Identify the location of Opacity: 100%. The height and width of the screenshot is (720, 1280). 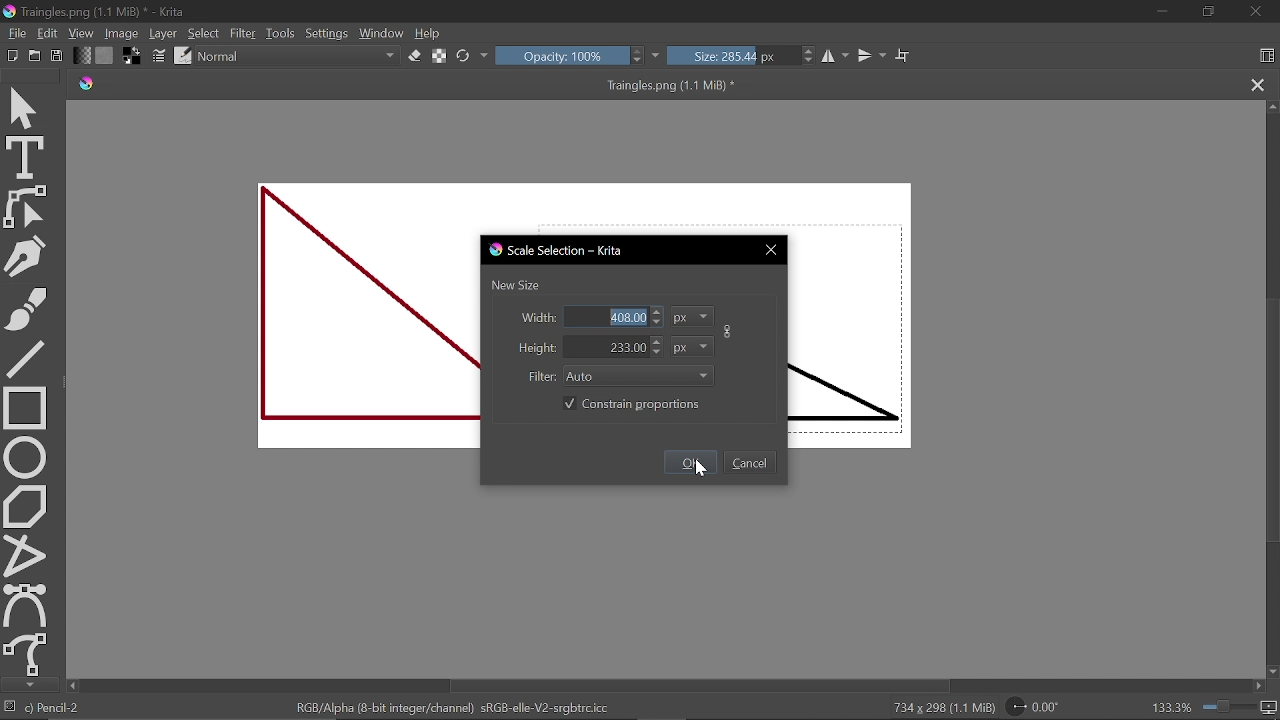
(579, 56).